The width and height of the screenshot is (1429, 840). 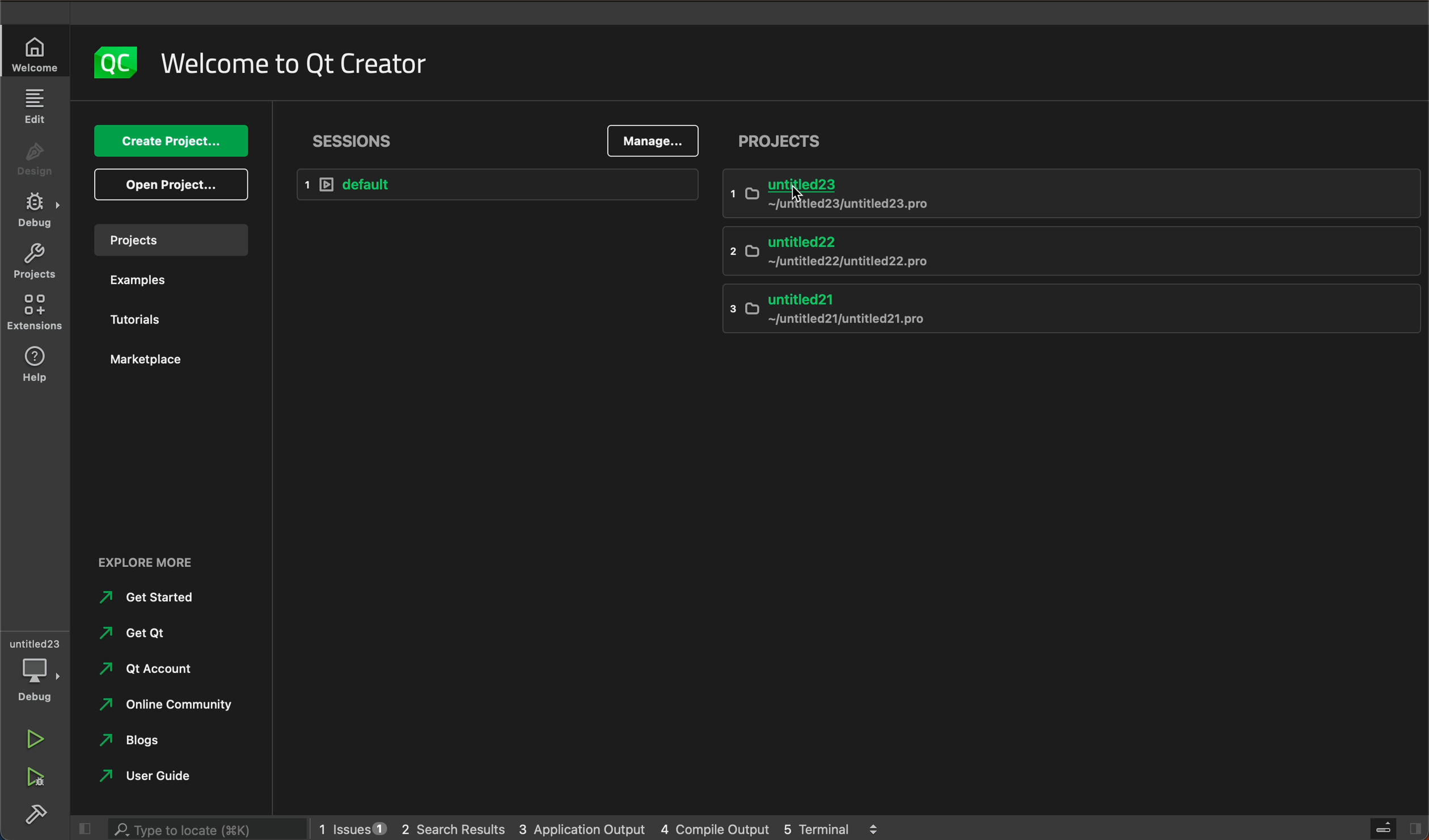 What do you see at coordinates (1069, 193) in the screenshot?
I see `untitled` at bounding box center [1069, 193].